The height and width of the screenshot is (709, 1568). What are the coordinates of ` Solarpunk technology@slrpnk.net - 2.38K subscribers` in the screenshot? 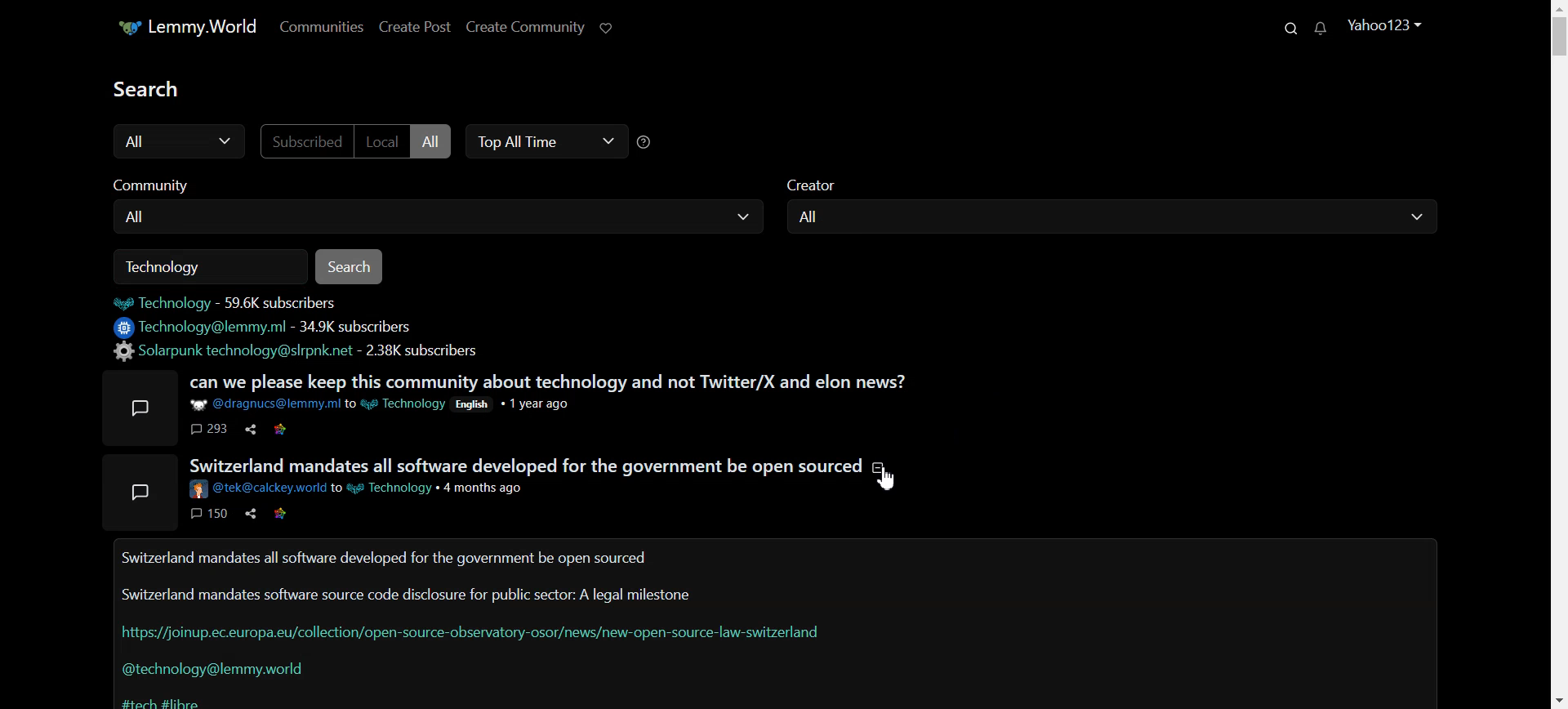 It's located at (301, 351).